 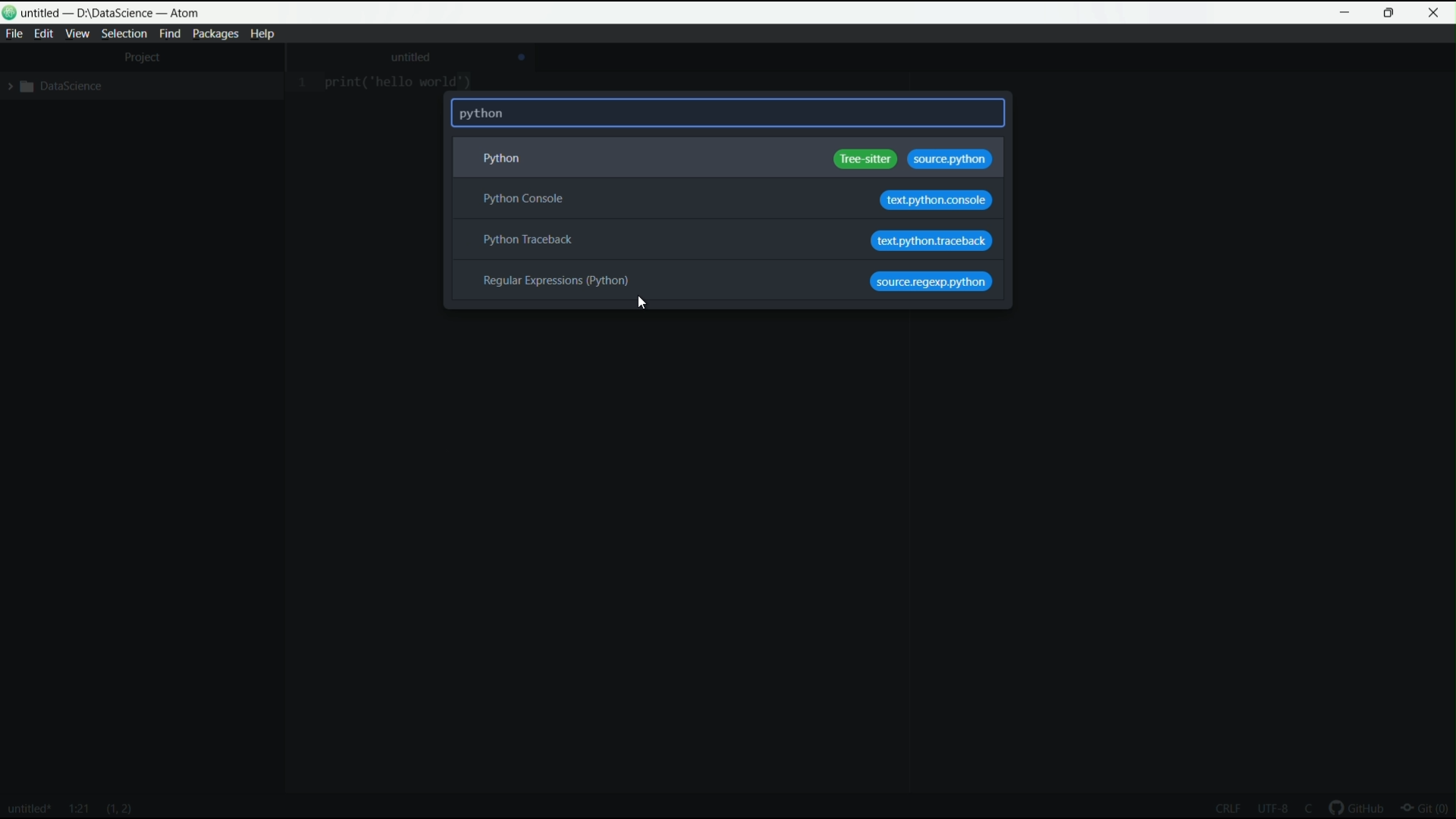 What do you see at coordinates (867, 160) in the screenshot?
I see `tree sitter` at bounding box center [867, 160].